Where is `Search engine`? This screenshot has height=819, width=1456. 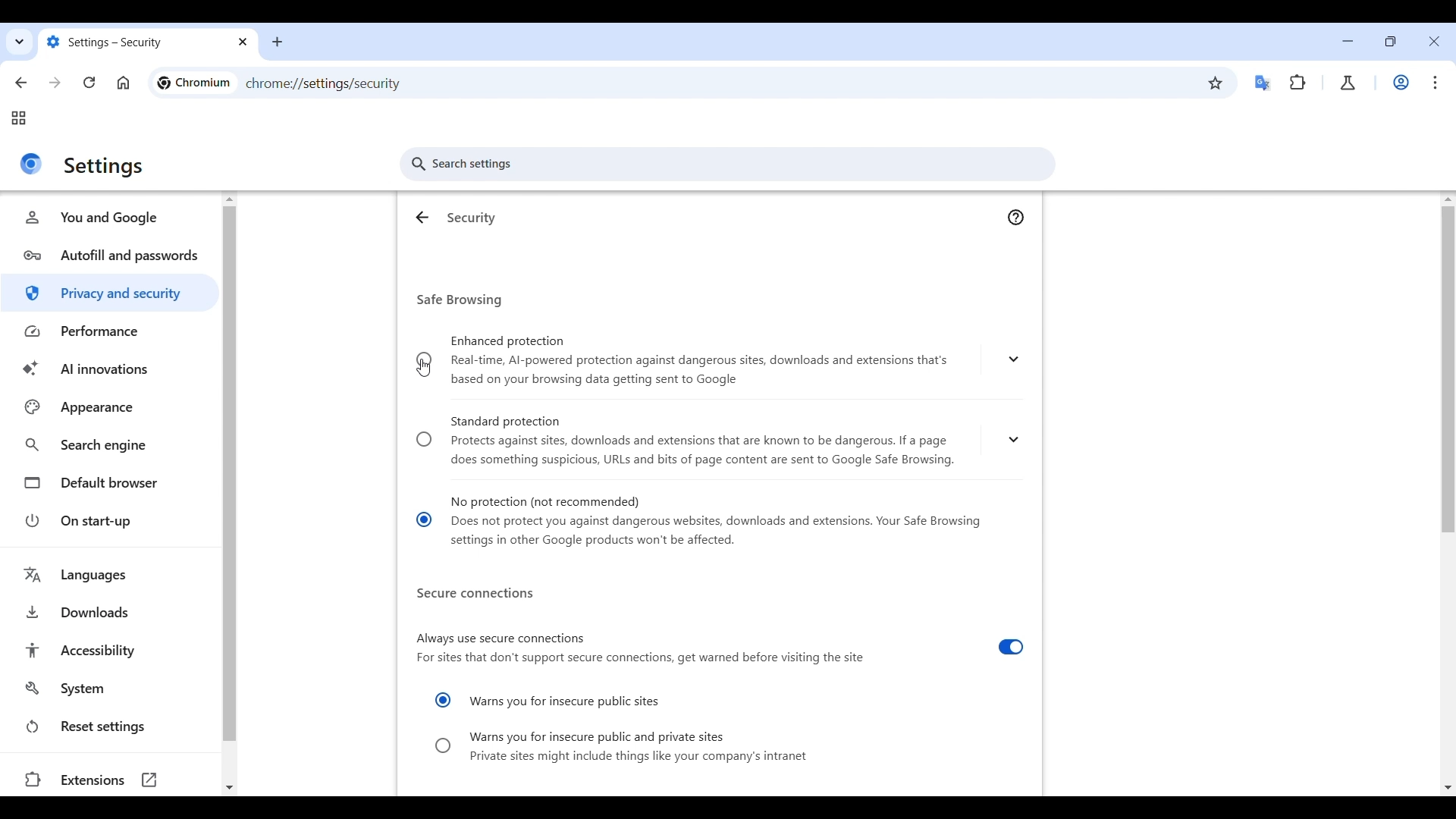 Search engine is located at coordinates (111, 445).